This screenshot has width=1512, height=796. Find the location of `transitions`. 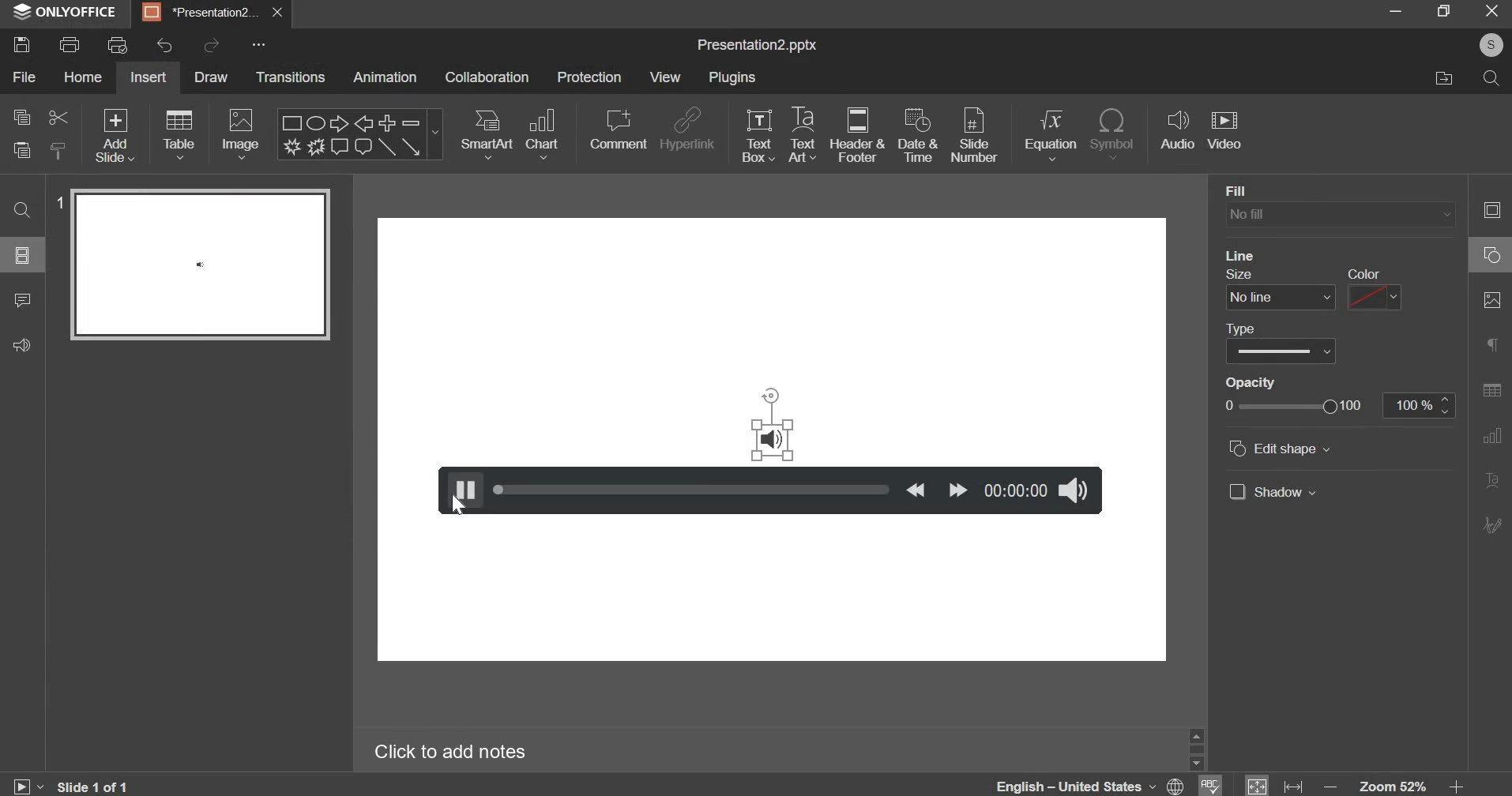

transitions is located at coordinates (292, 78).